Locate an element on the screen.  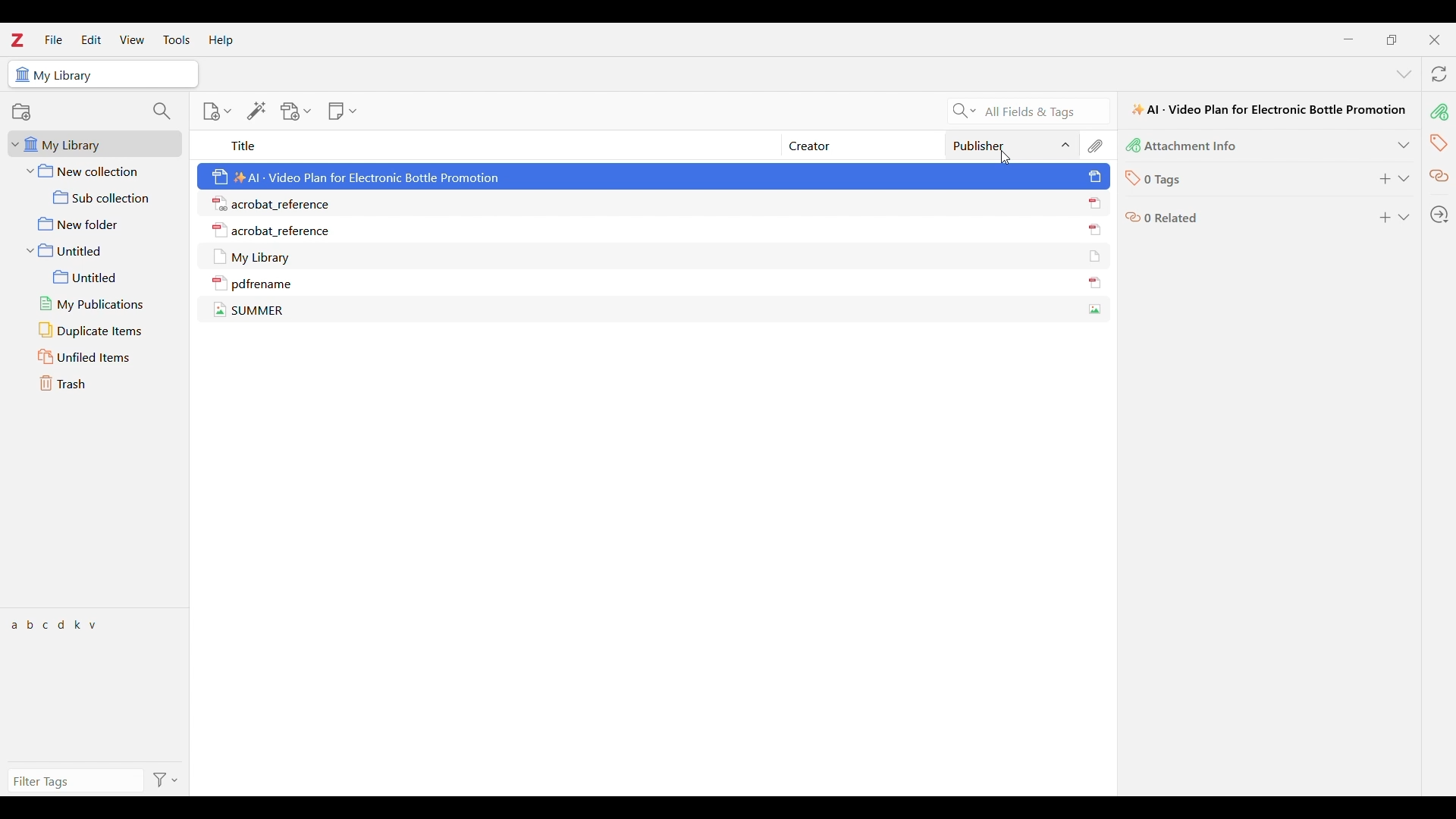
Attachement is located at coordinates (1097, 145).